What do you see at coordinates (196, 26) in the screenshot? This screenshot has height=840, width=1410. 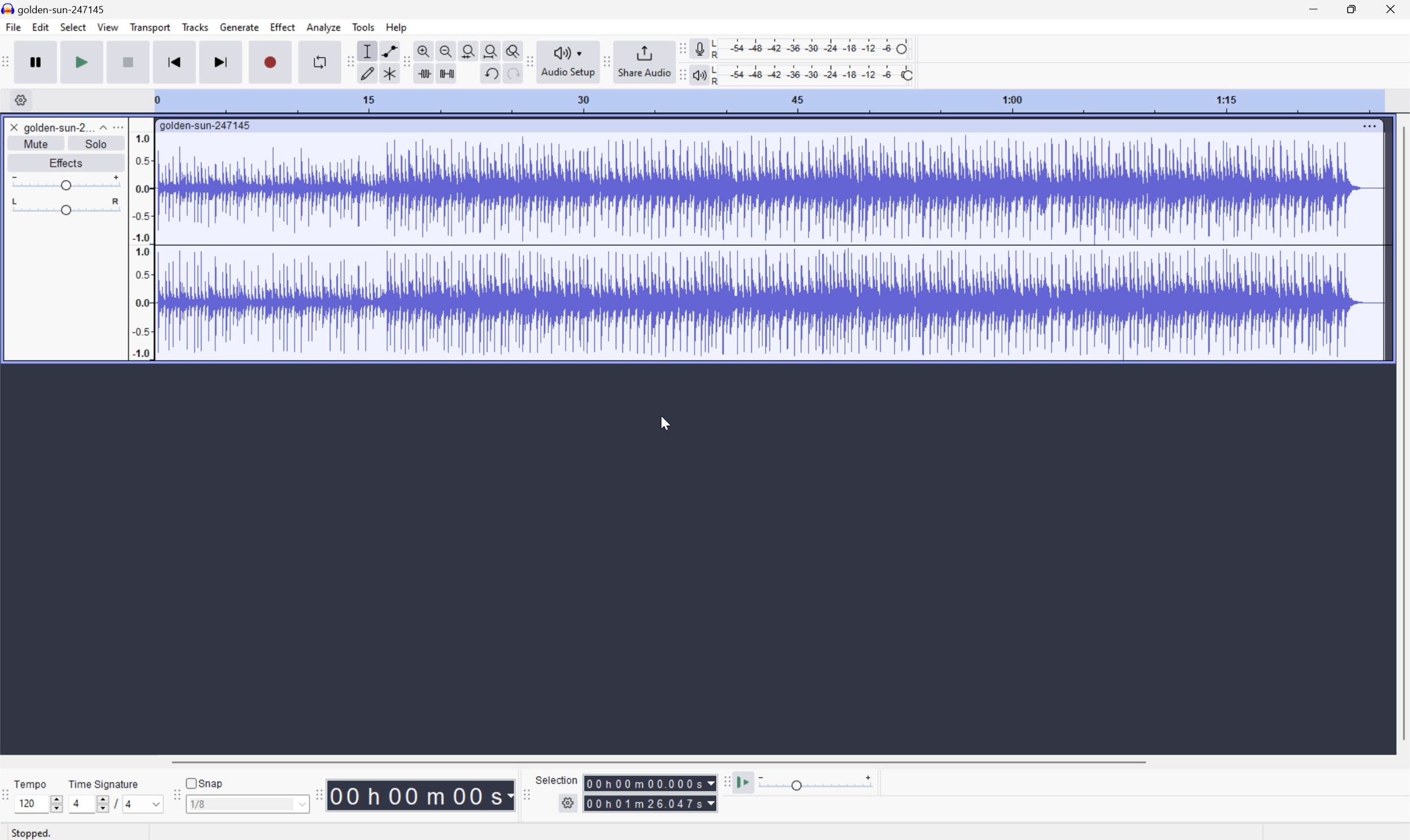 I see `Tracks` at bounding box center [196, 26].